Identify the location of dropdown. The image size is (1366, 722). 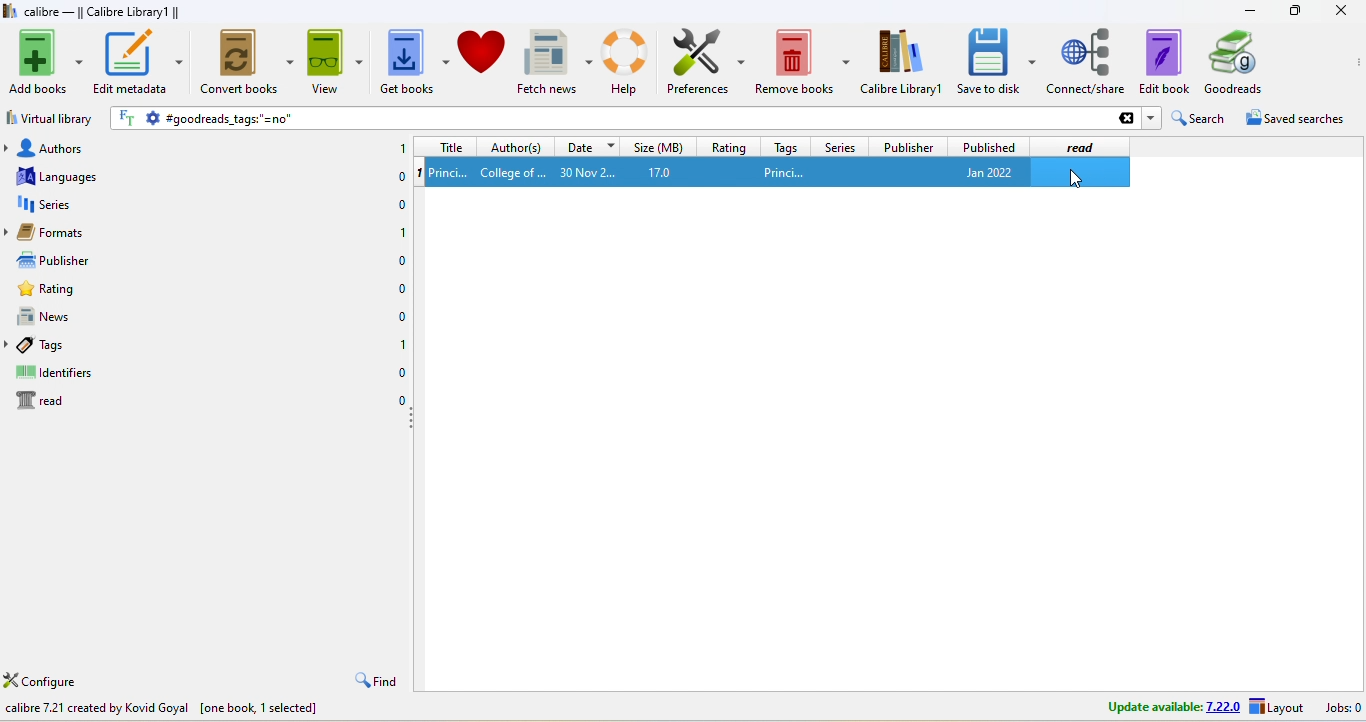
(1151, 118).